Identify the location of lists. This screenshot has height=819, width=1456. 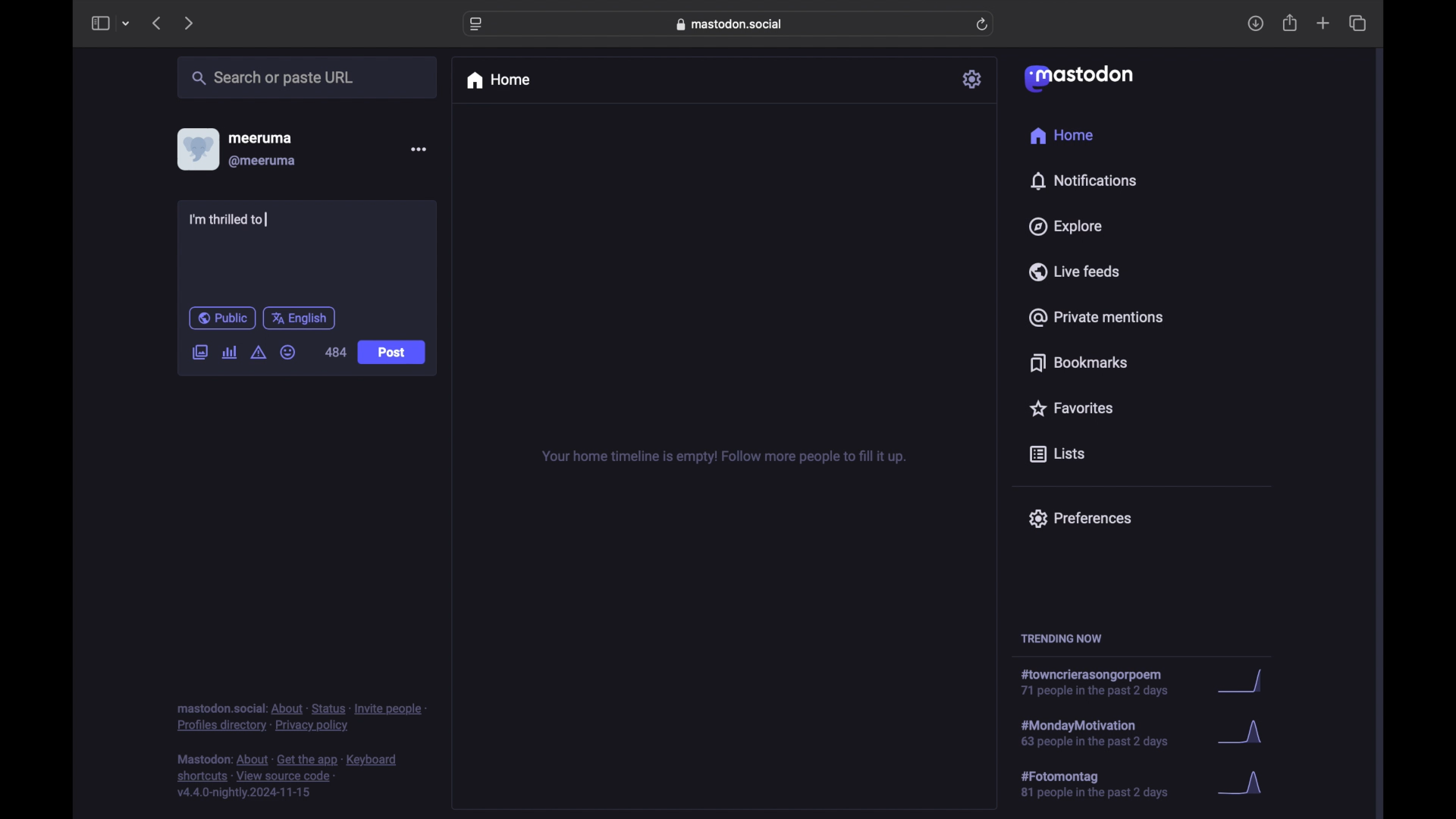
(1057, 455).